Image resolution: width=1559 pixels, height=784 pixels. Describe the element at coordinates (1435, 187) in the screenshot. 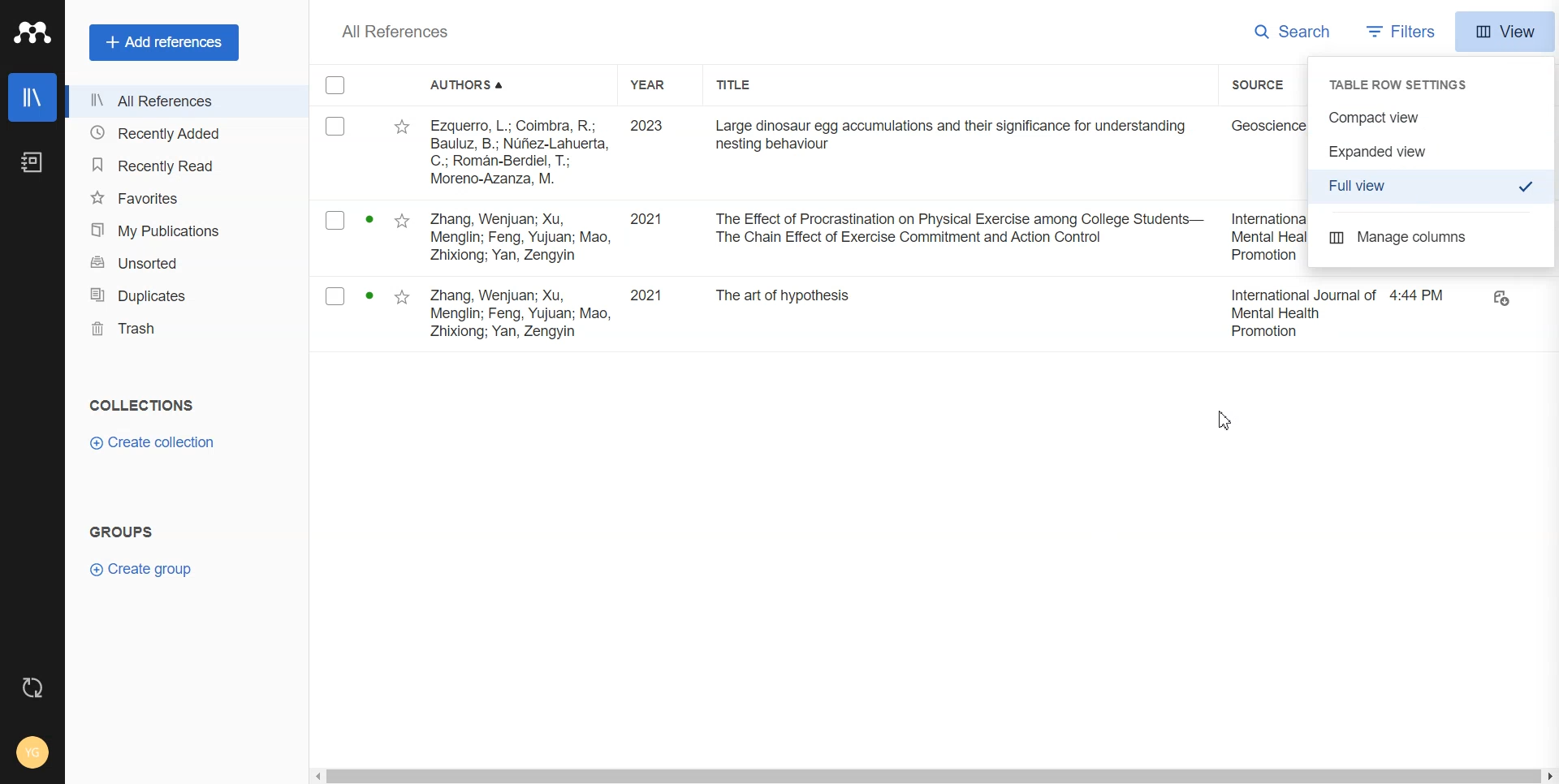

I see `Full view` at that location.